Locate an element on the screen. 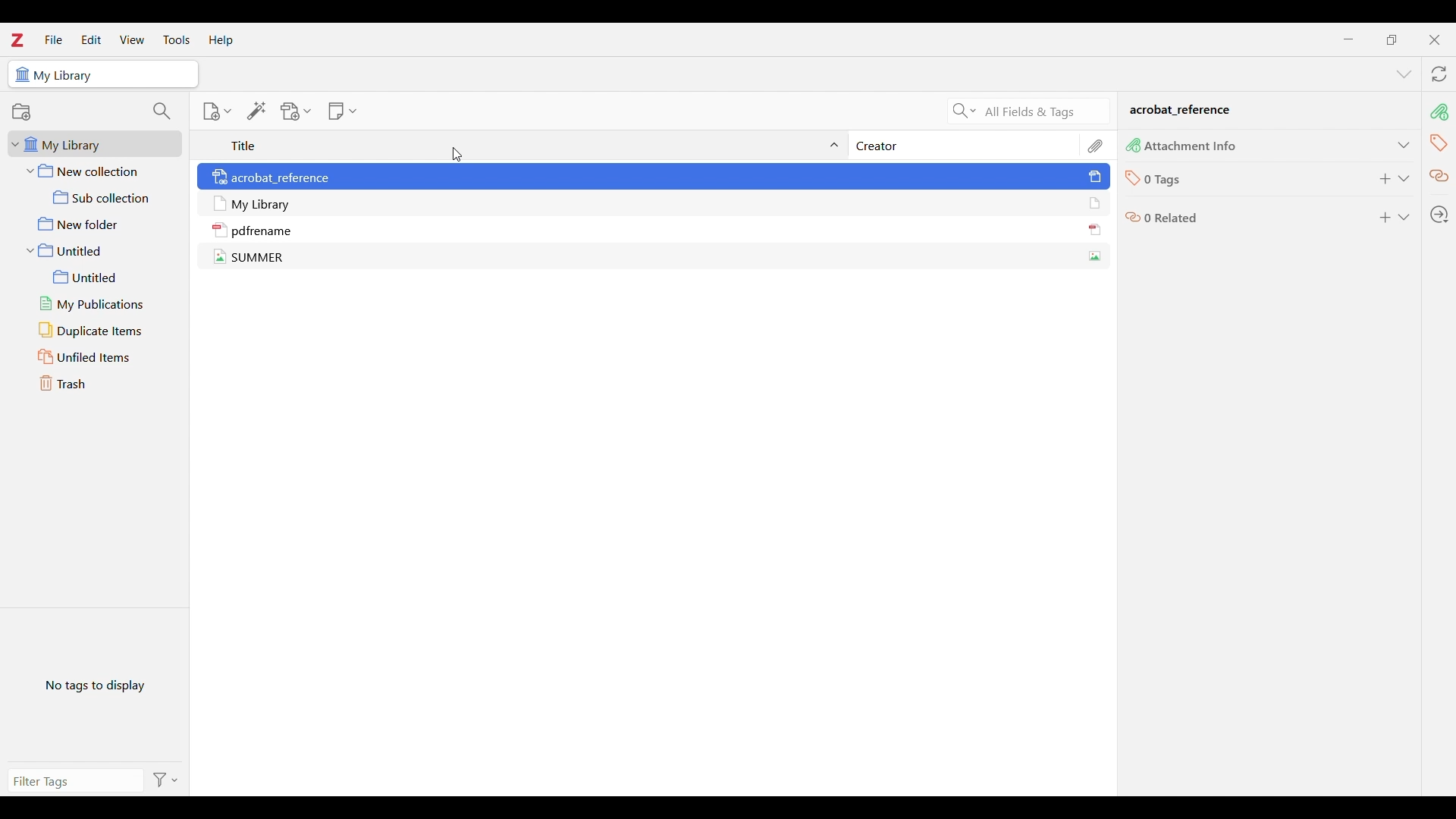 The height and width of the screenshot is (819, 1456). New item options is located at coordinates (217, 111).